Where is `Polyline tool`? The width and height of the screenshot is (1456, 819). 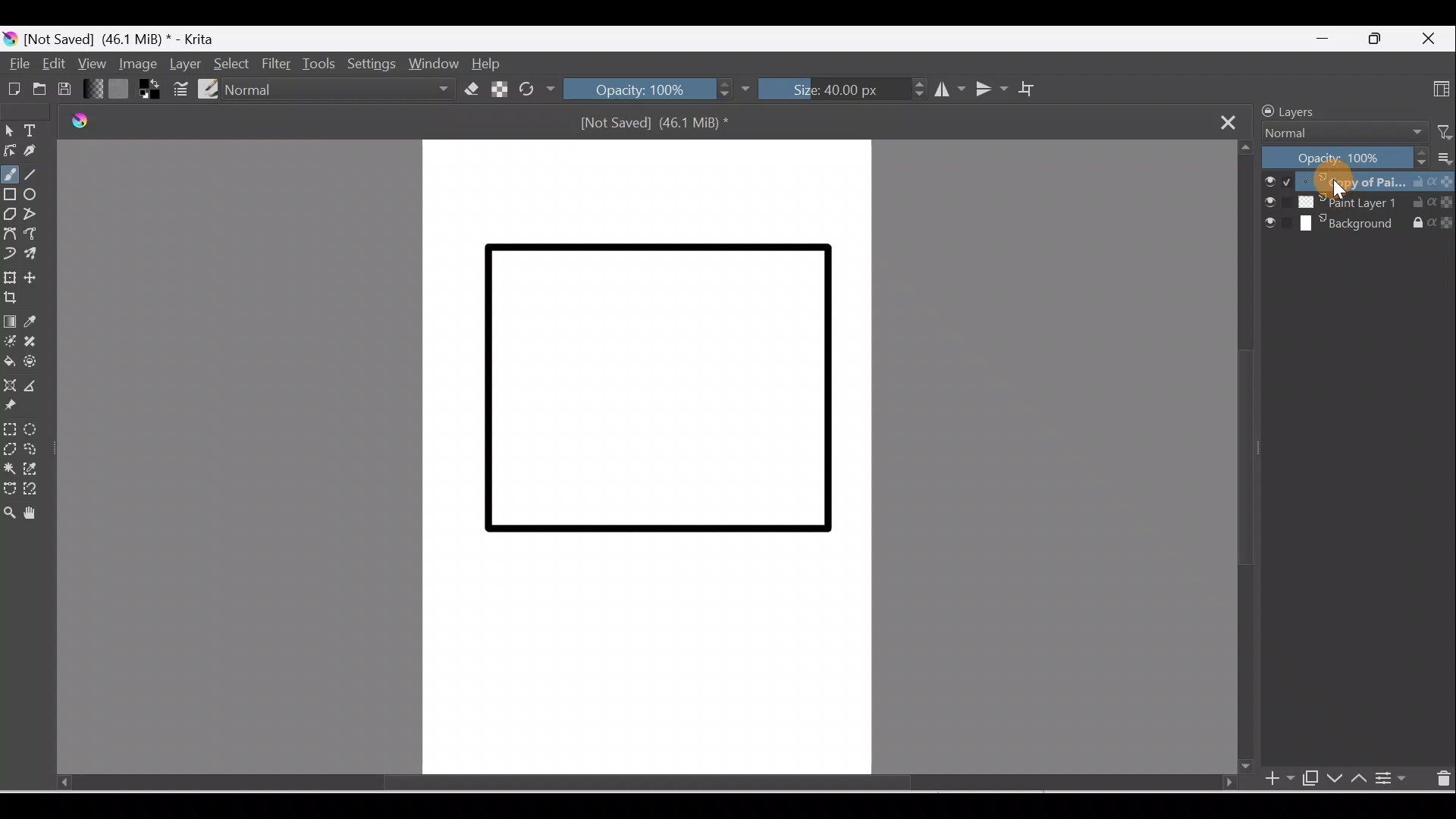
Polyline tool is located at coordinates (37, 216).